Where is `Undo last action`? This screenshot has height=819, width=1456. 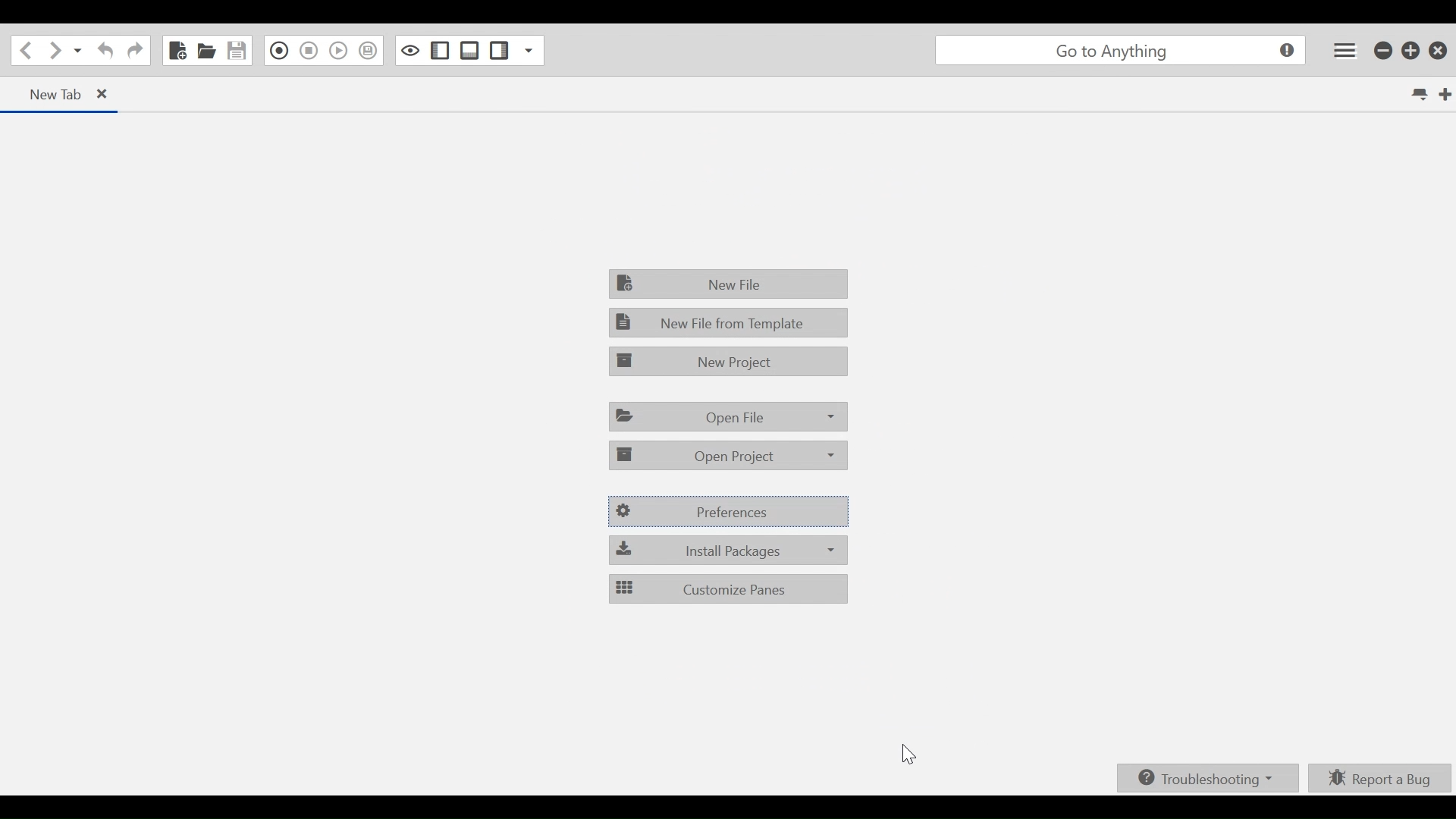 Undo last action is located at coordinates (103, 52).